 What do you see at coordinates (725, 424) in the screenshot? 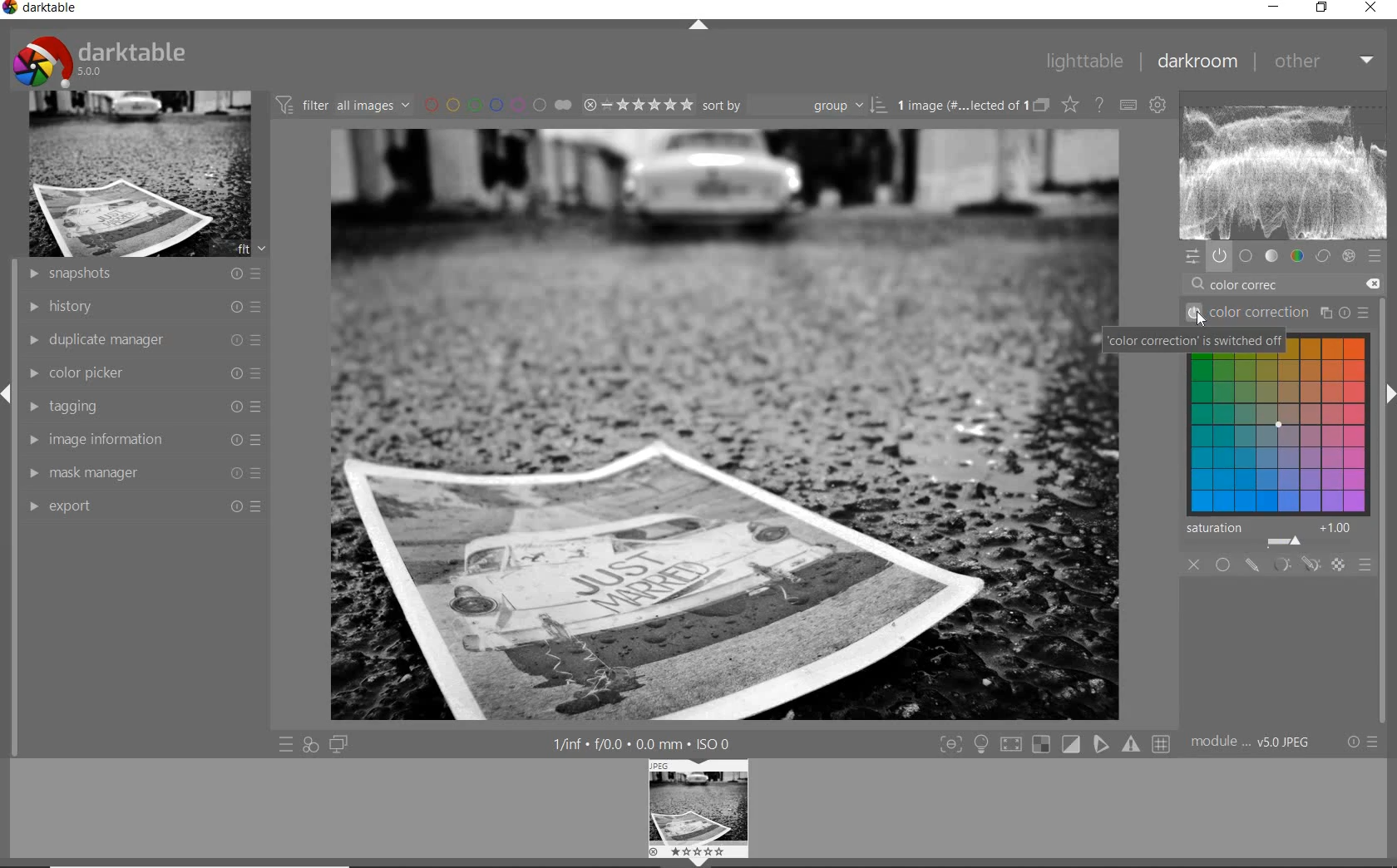
I see `selected image` at bounding box center [725, 424].